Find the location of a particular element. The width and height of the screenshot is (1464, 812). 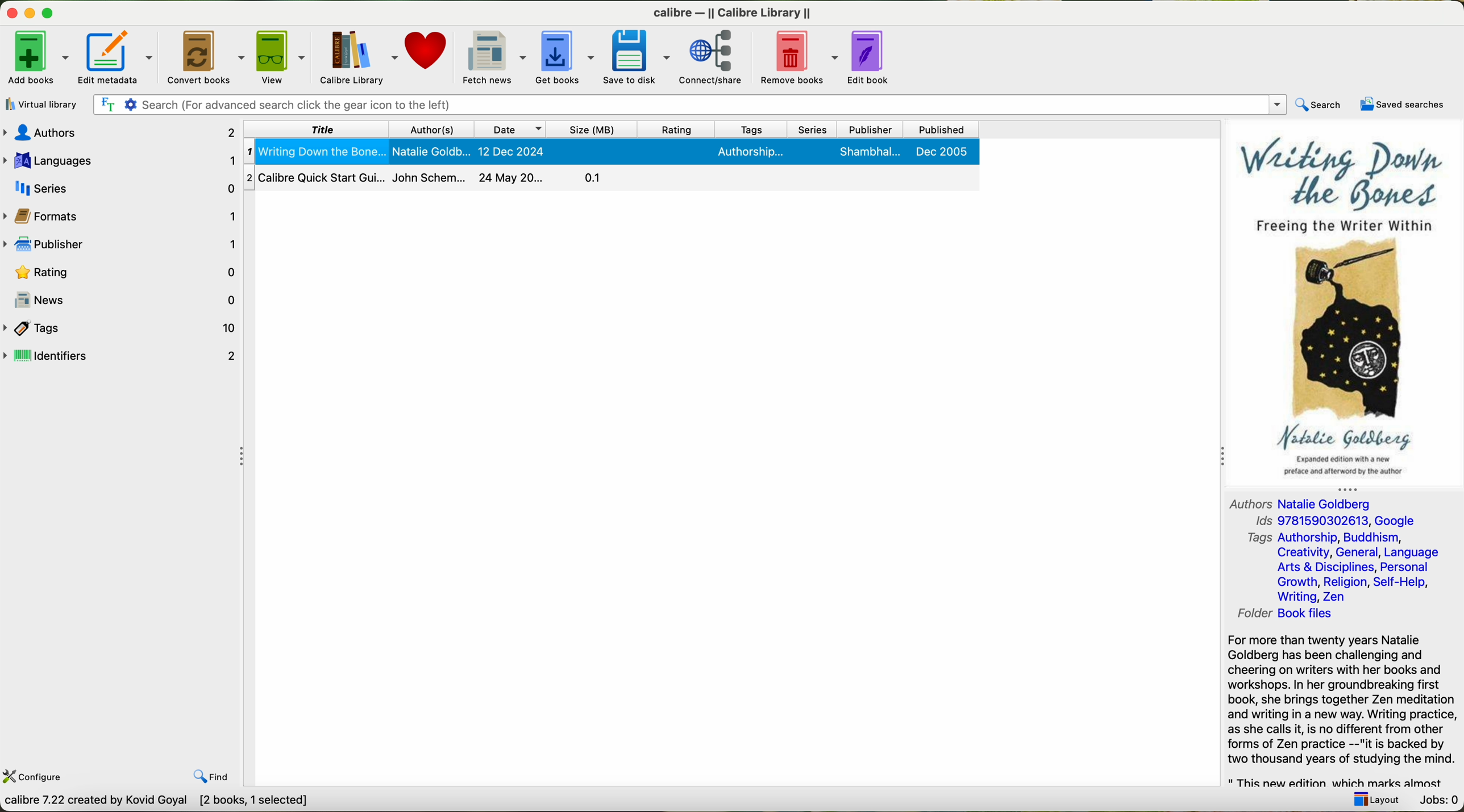

publisher is located at coordinates (868, 129).